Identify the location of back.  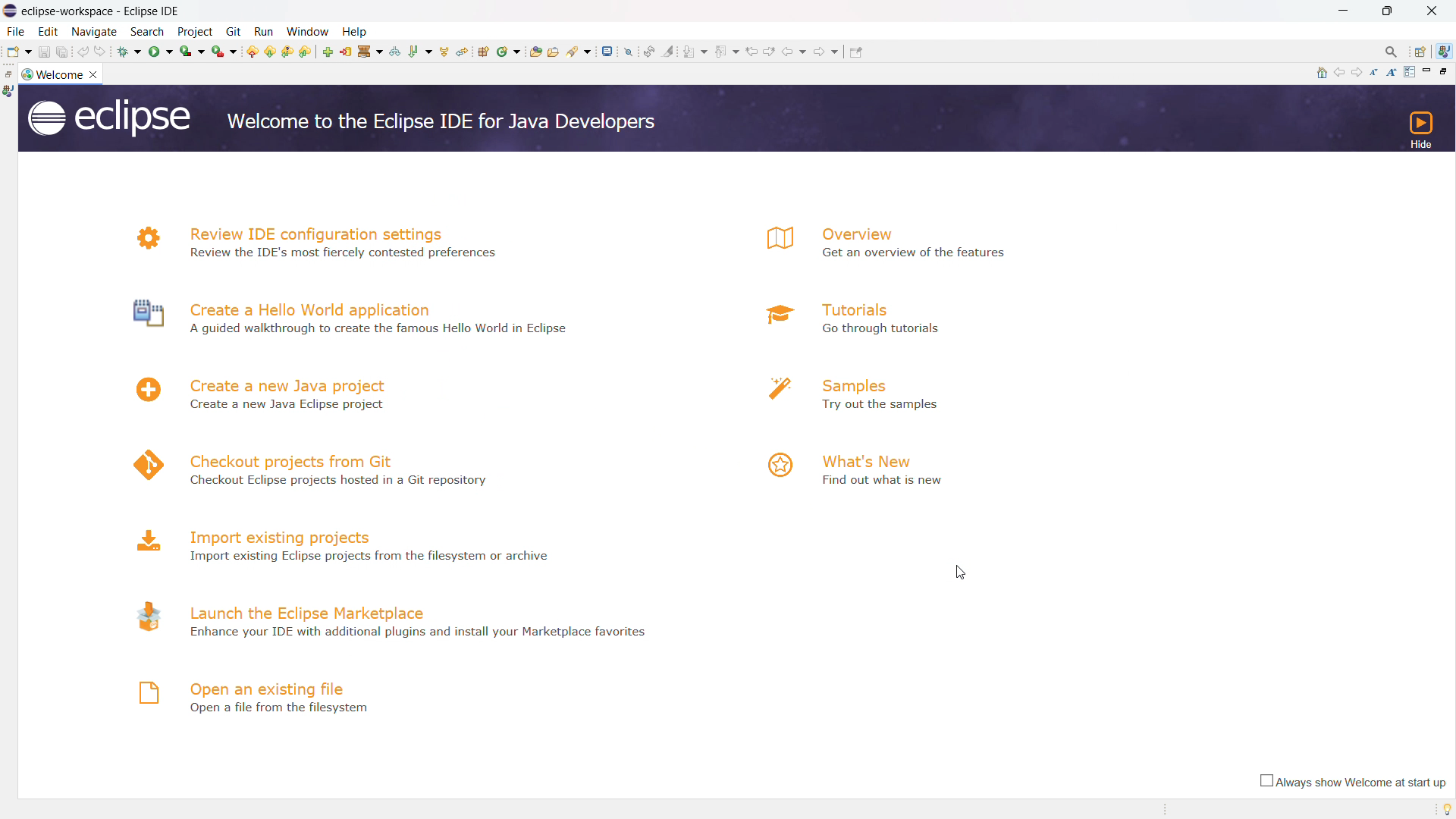
(563, 52).